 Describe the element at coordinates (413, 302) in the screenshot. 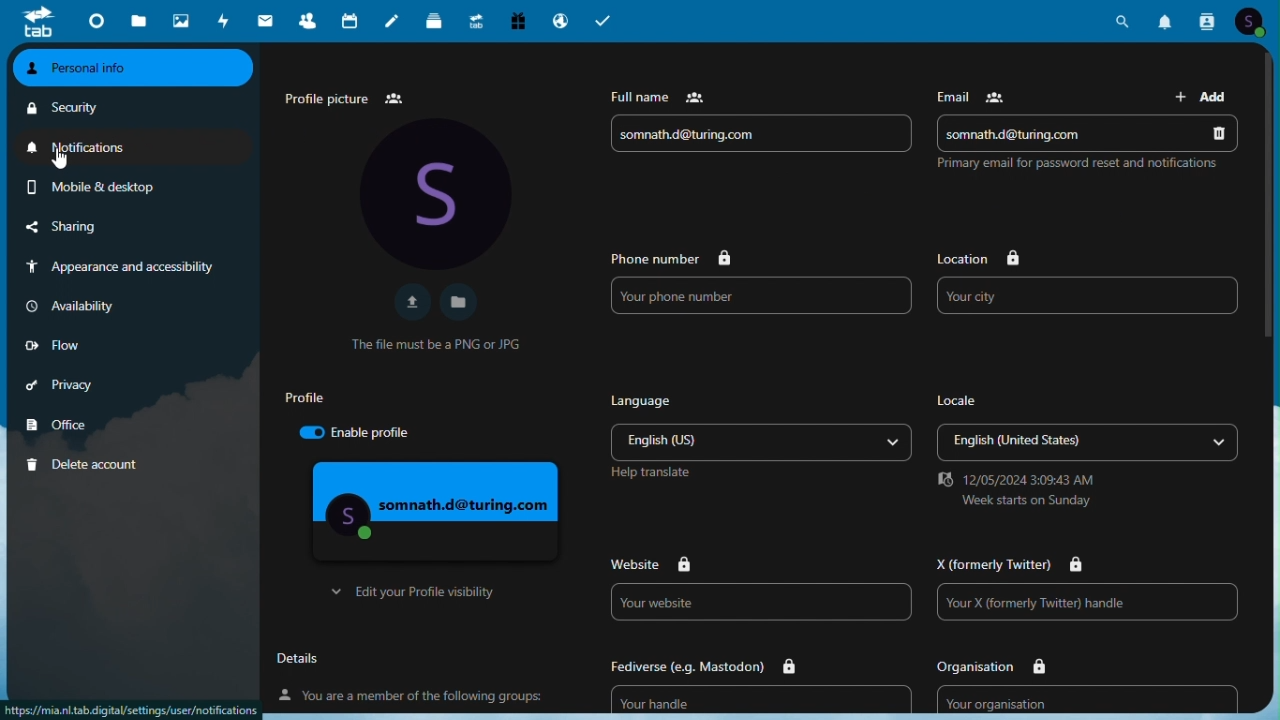

I see `Upload` at that location.